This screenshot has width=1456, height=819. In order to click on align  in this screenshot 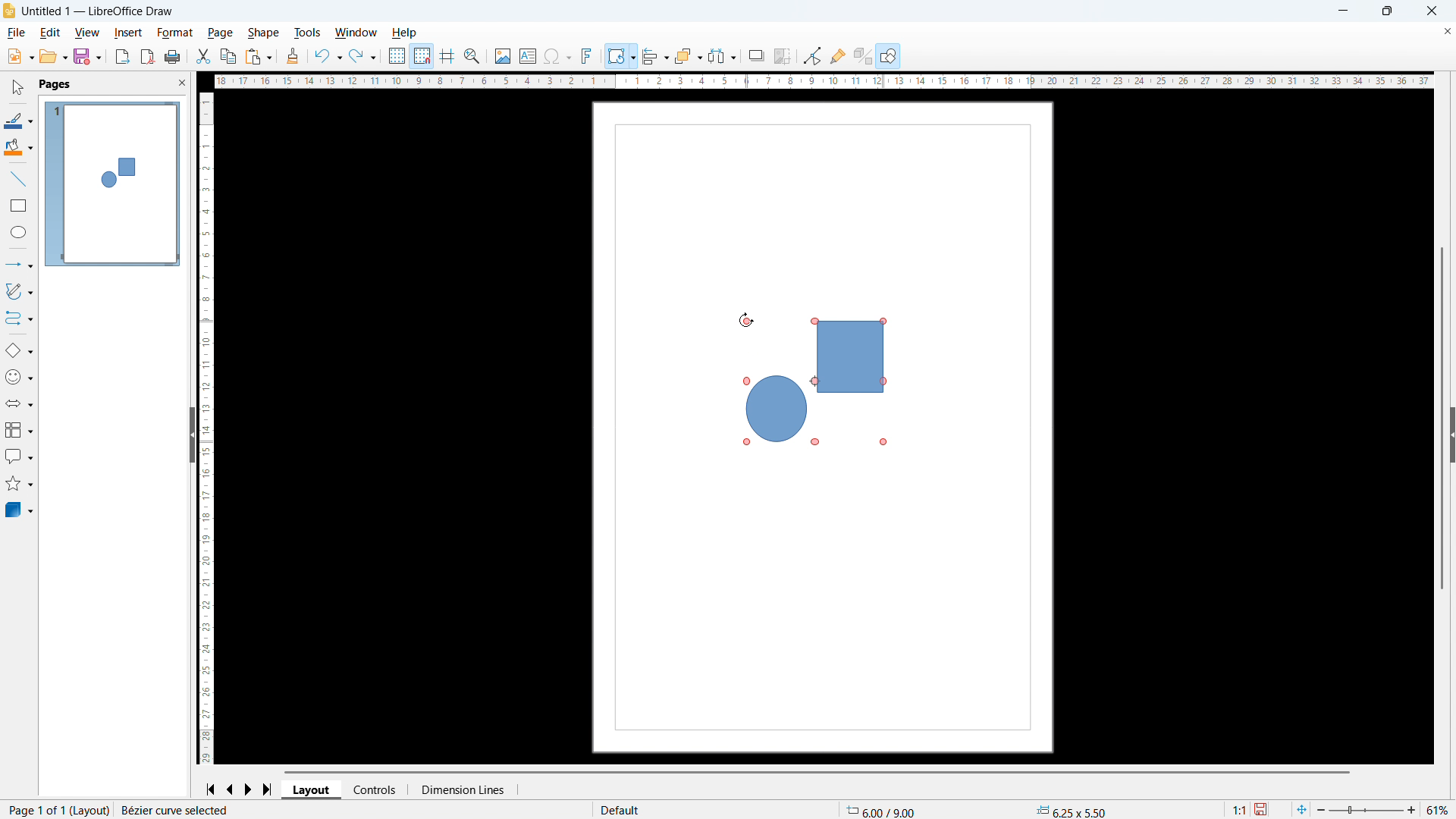, I will do `click(655, 55)`.